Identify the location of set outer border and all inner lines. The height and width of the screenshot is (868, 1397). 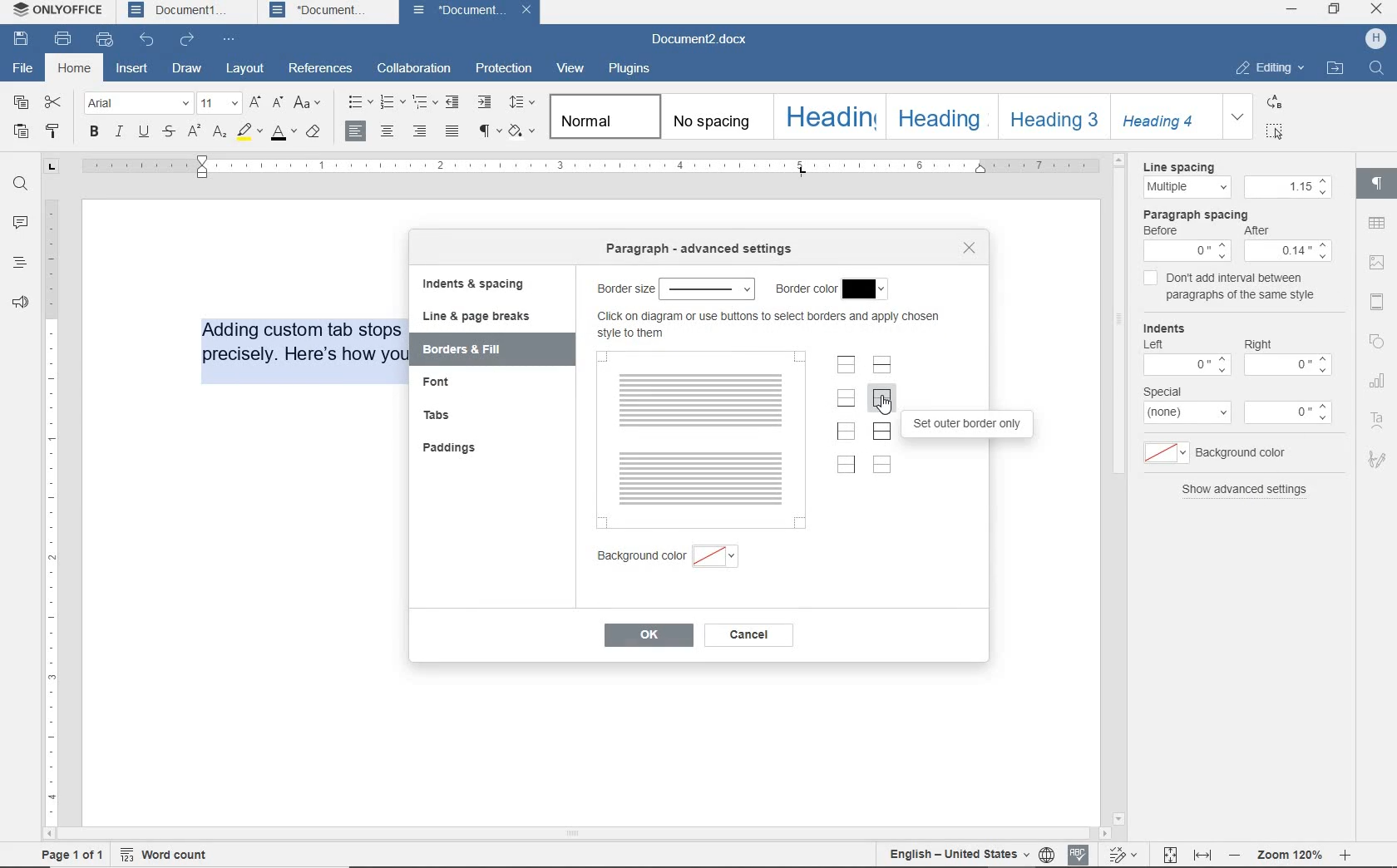
(883, 432).